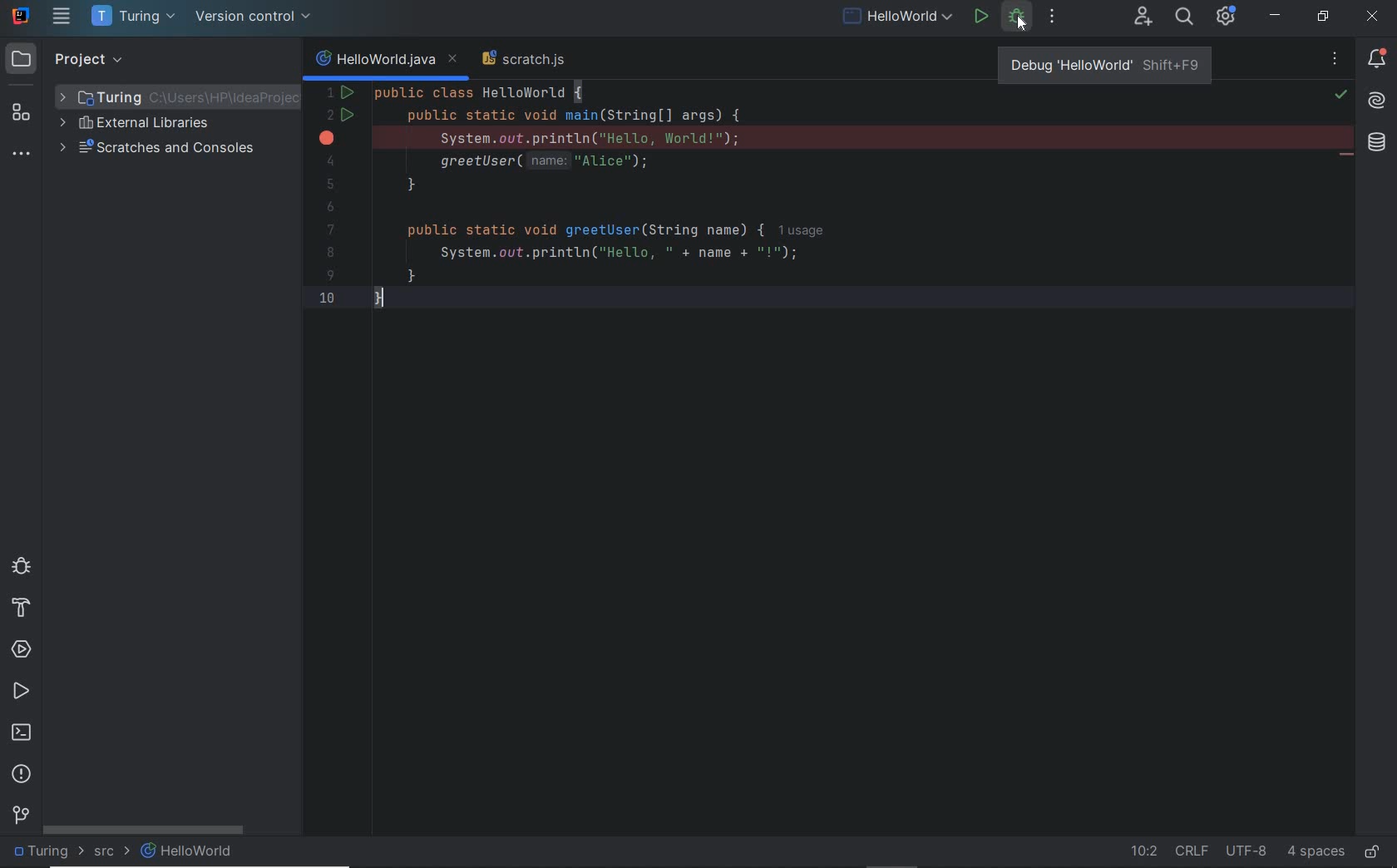 The image size is (1397, 868). Describe the element at coordinates (1192, 852) in the screenshot. I see `line separator` at that location.